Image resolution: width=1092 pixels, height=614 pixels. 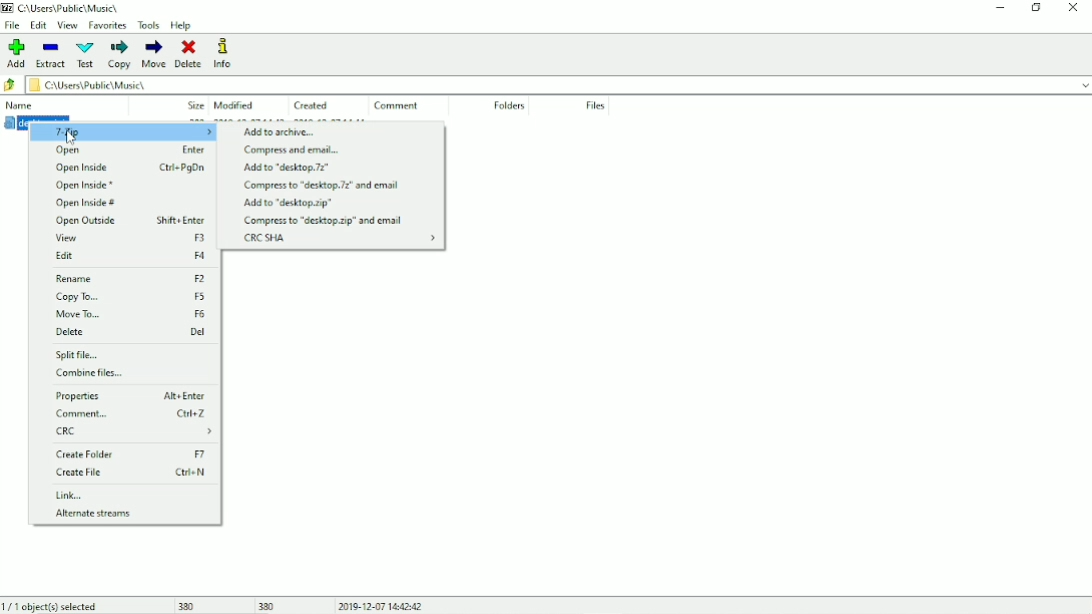 What do you see at coordinates (122, 135) in the screenshot?
I see `7-Zip ` at bounding box center [122, 135].